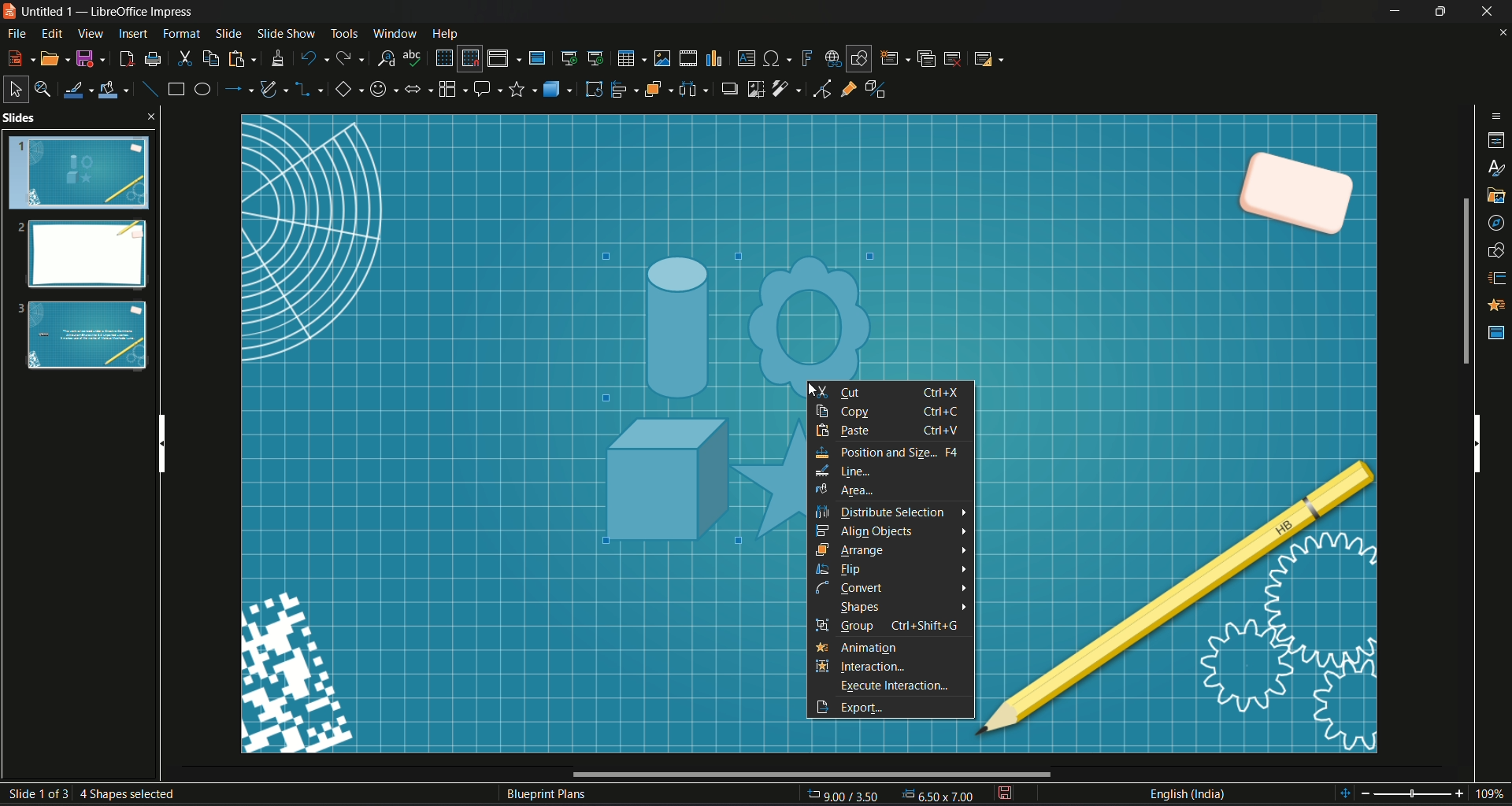 Image resolution: width=1512 pixels, height=806 pixels. I want to click on Scroll bar, so click(1464, 281).